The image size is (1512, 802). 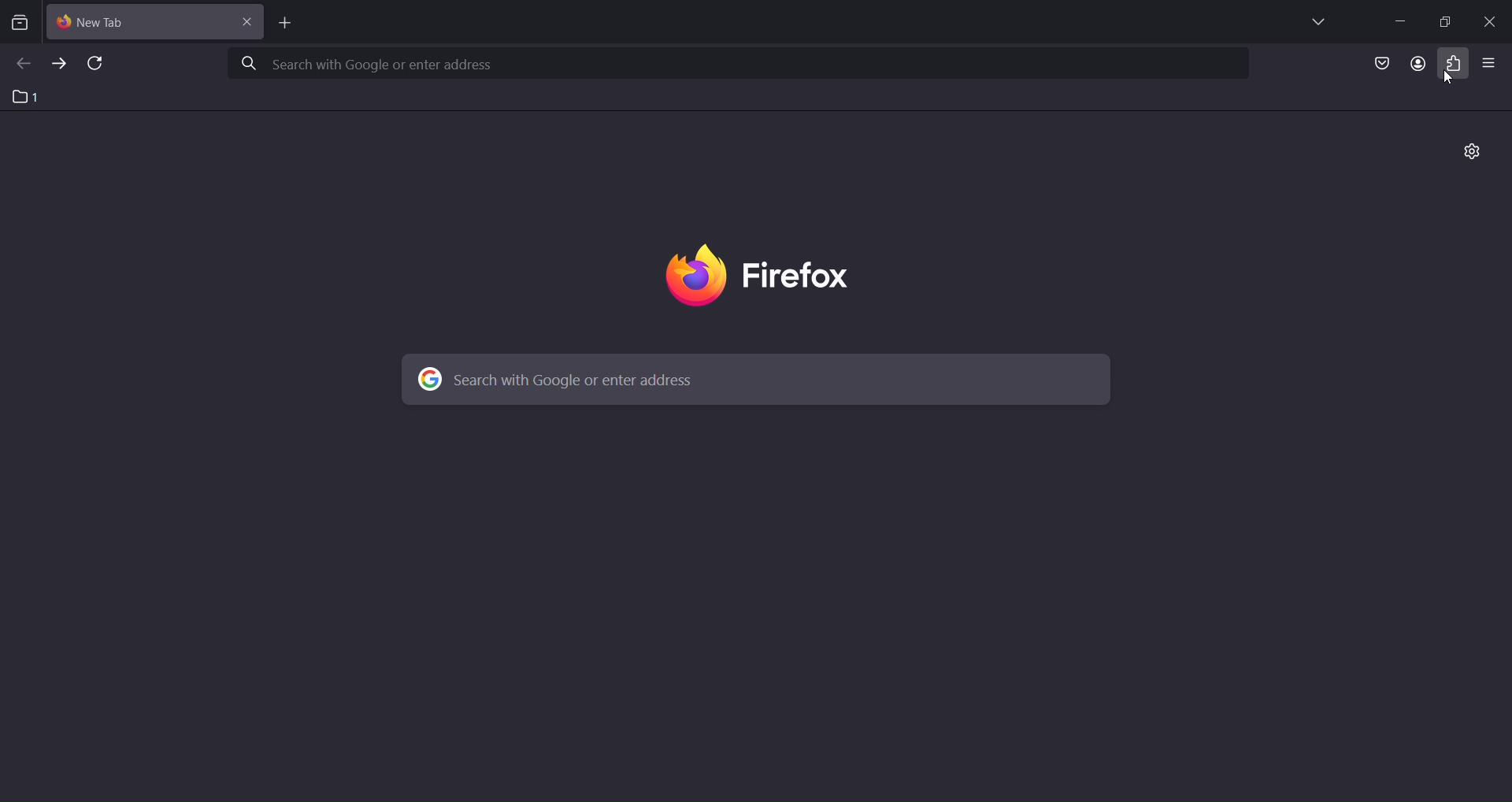 What do you see at coordinates (1446, 83) in the screenshot?
I see `cursor` at bounding box center [1446, 83].